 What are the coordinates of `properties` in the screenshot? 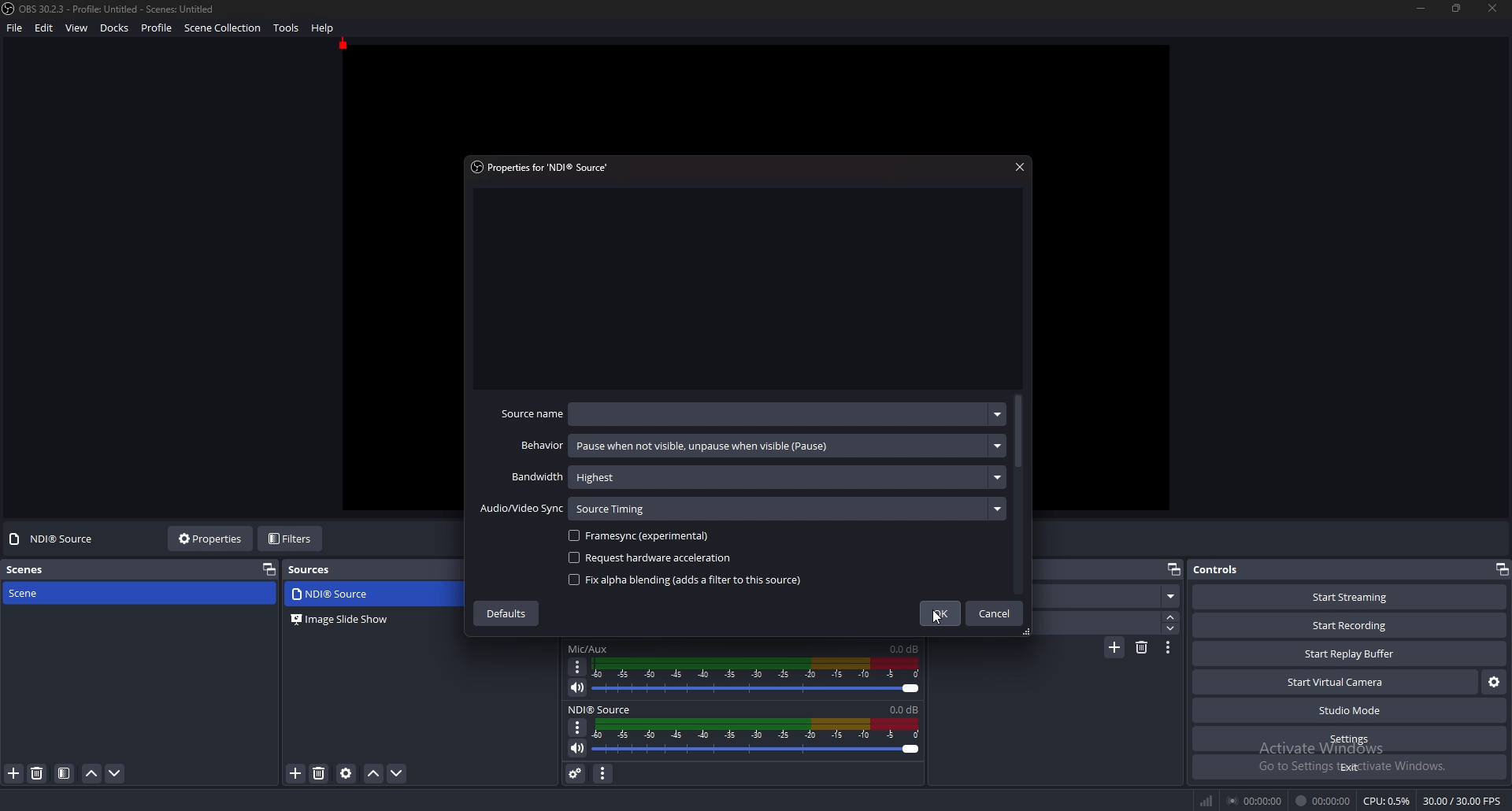 It's located at (211, 538).